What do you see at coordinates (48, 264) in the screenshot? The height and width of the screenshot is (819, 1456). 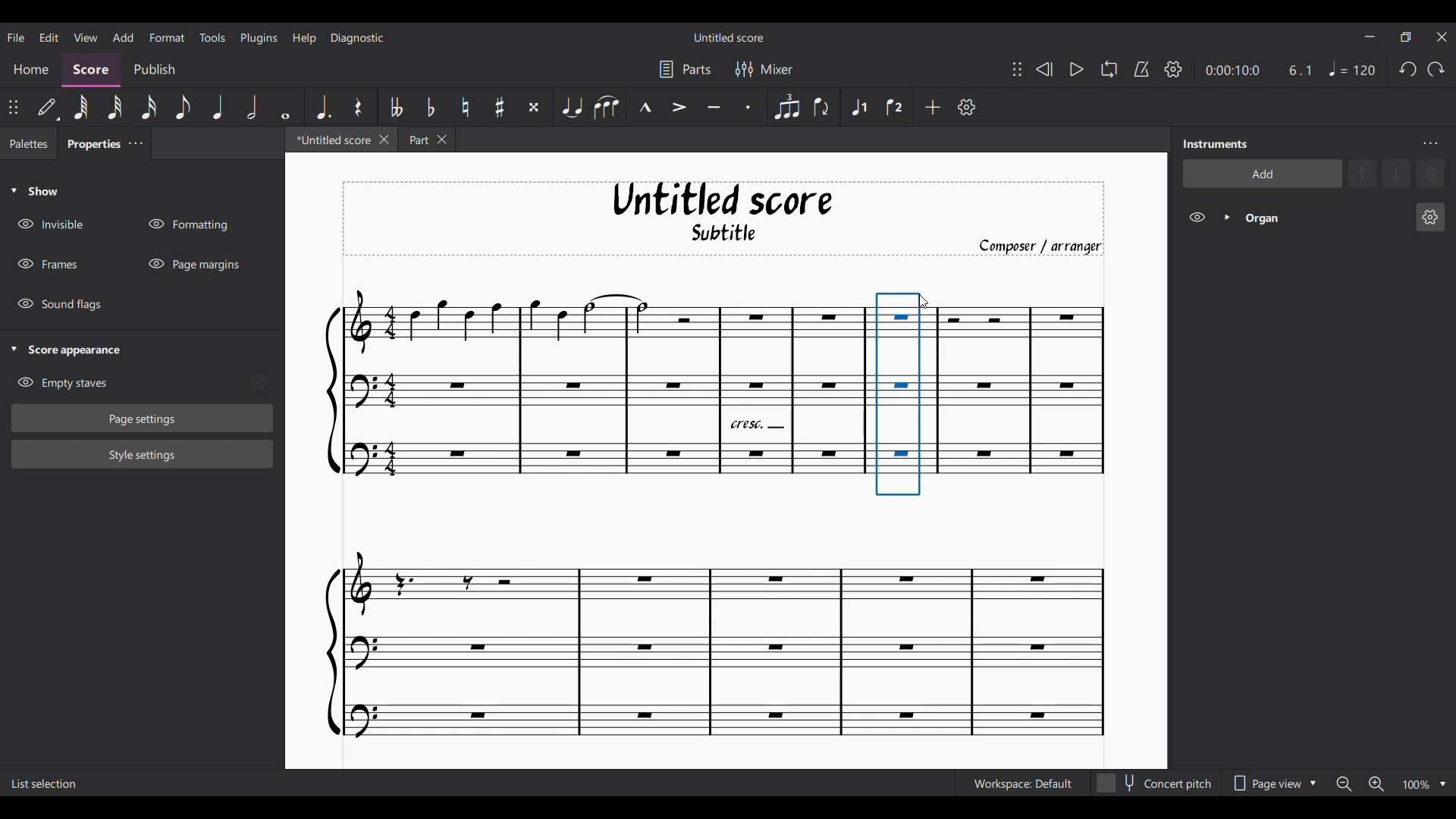 I see `Hide Frames` at bounding box center [48, 264].